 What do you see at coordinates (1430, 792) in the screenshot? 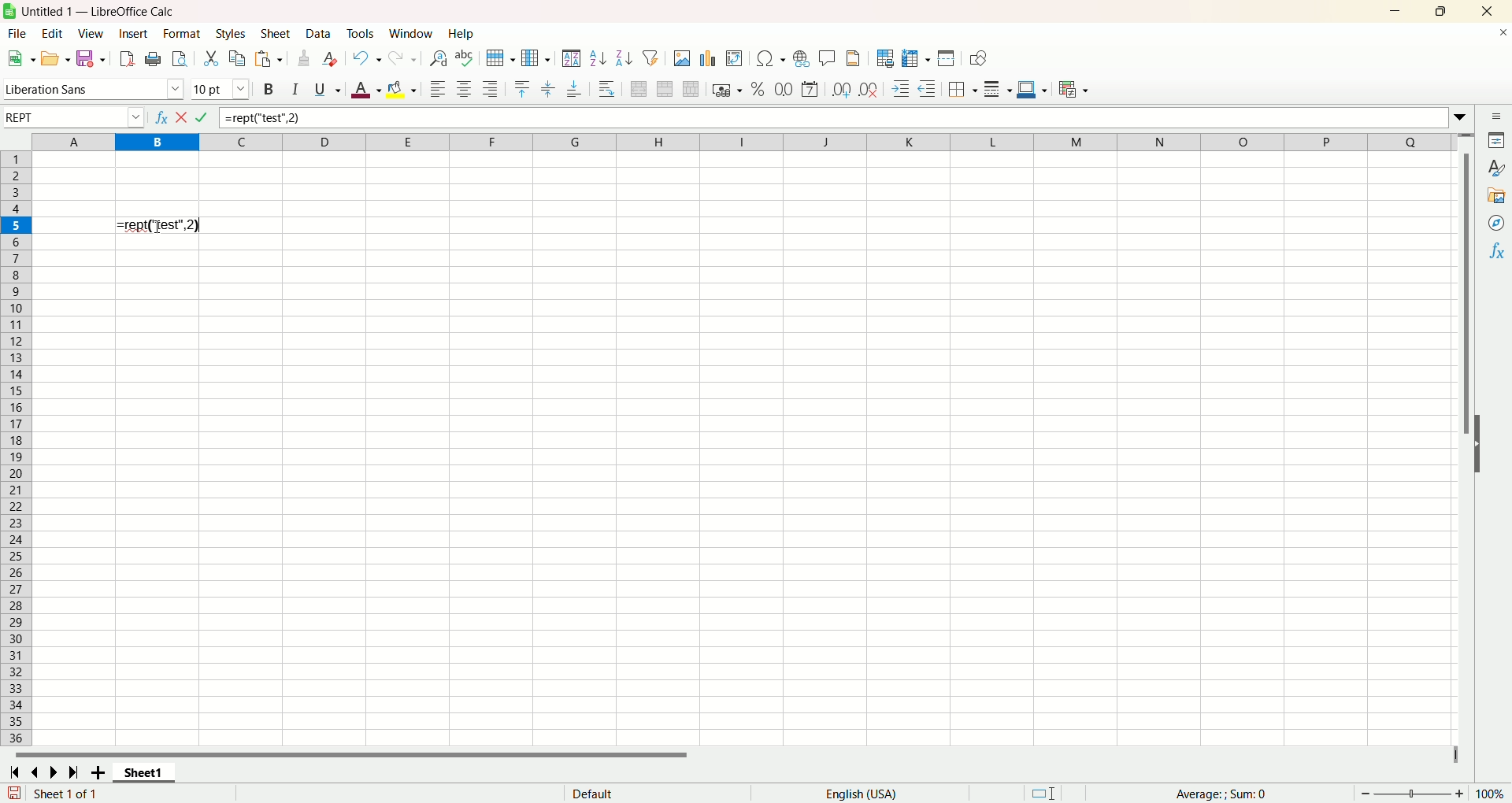
I see `zoom factor` at bounding box center [1430, 792].